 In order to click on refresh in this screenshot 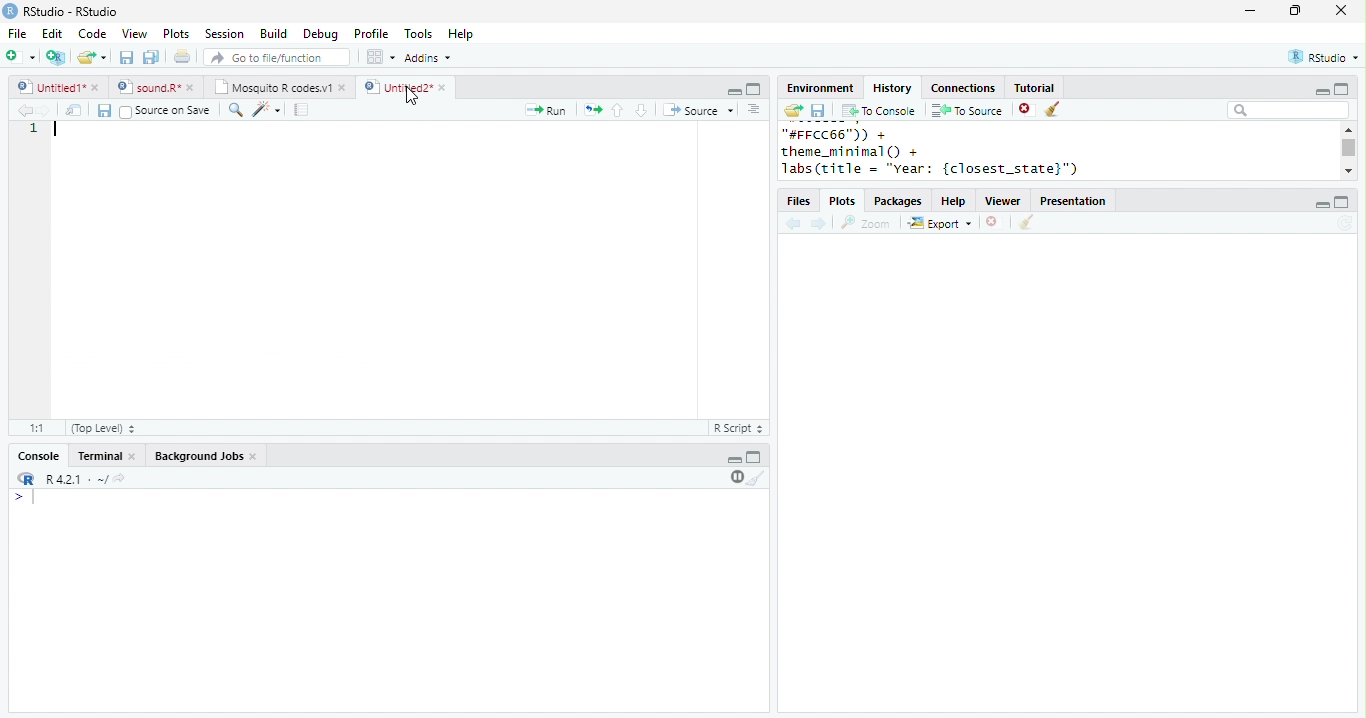, I will do `click(1345, 223)`.